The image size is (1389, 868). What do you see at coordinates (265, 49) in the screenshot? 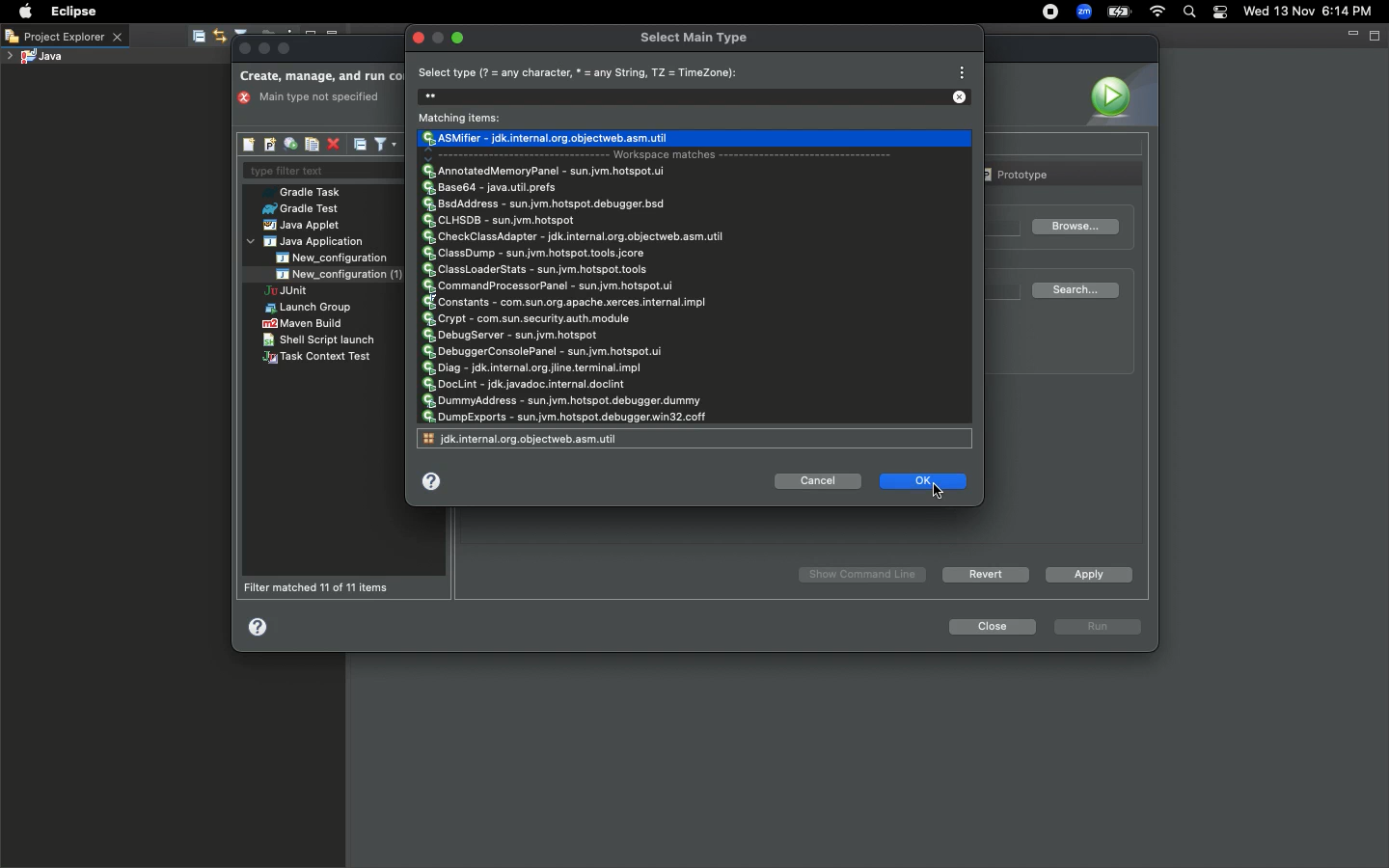
I see `minimize` at bounding box center [265, 49].